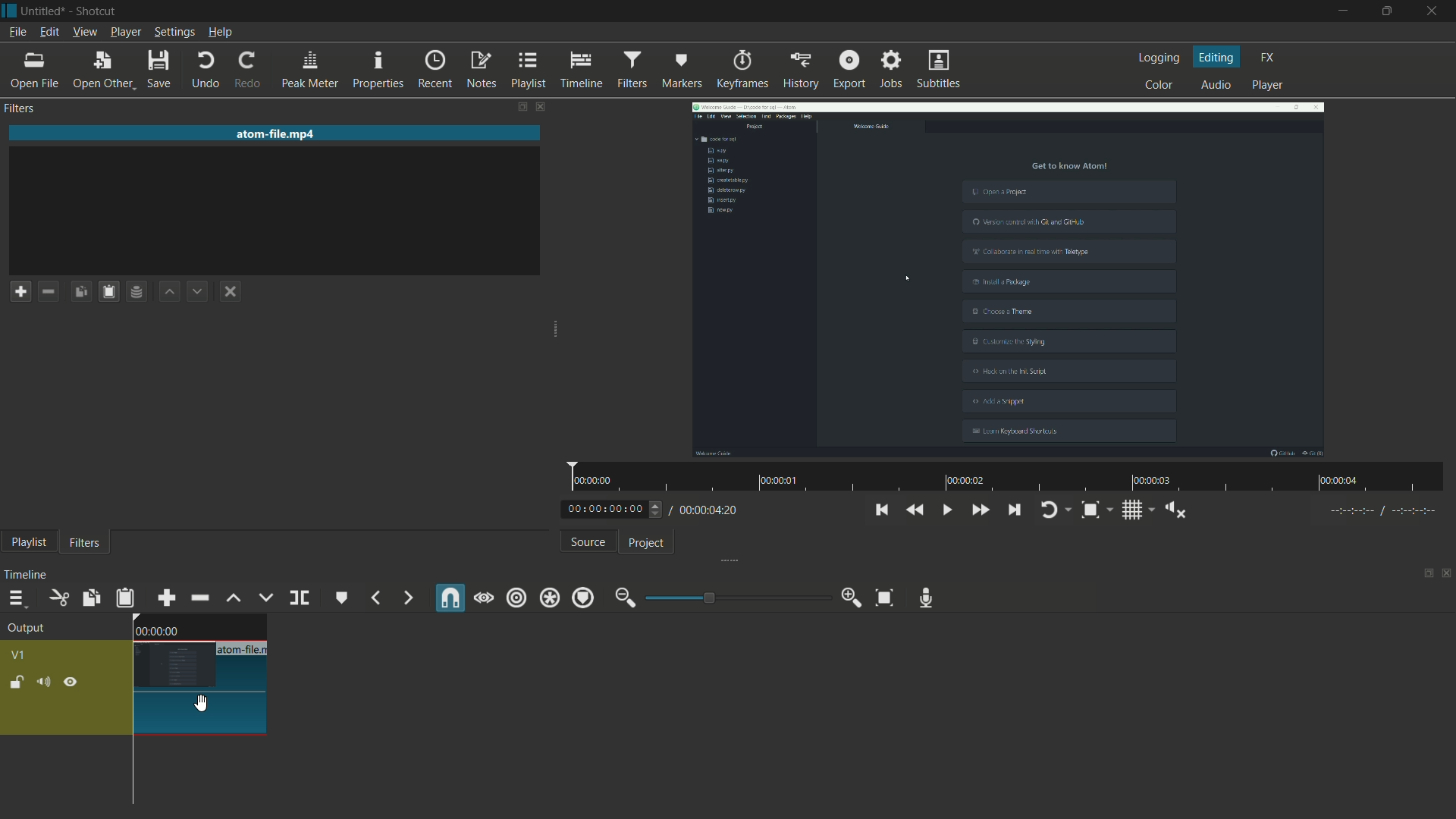 Image resolution: width=1456 pixels, height=819 pixels. Describe the element at coordinates (624, 598) in the screenshot. I see `minimize` at that location.